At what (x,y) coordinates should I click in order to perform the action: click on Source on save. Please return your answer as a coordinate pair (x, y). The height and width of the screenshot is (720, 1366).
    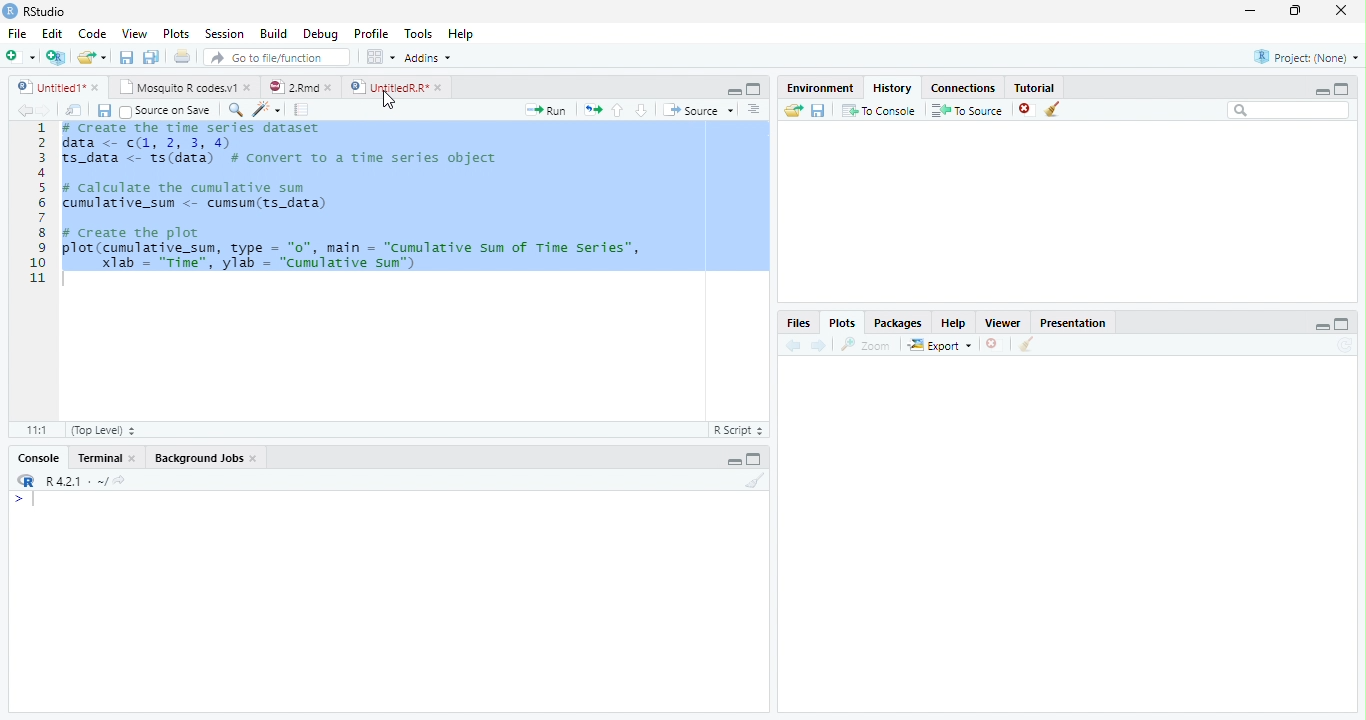
    Looking at the image, I should click on (167, 112).